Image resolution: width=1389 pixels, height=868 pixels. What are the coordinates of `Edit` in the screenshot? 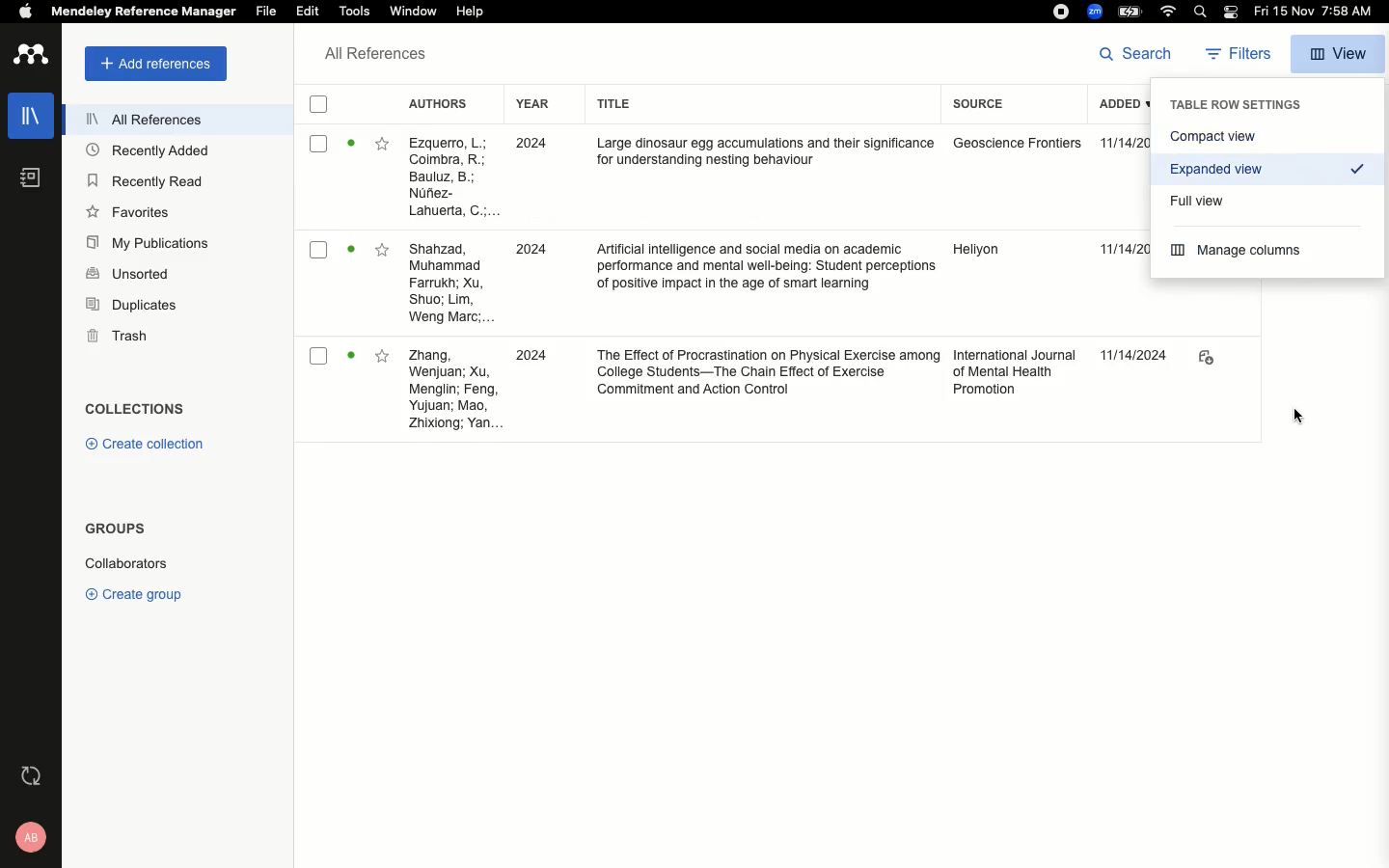 It's located at (307, 13).